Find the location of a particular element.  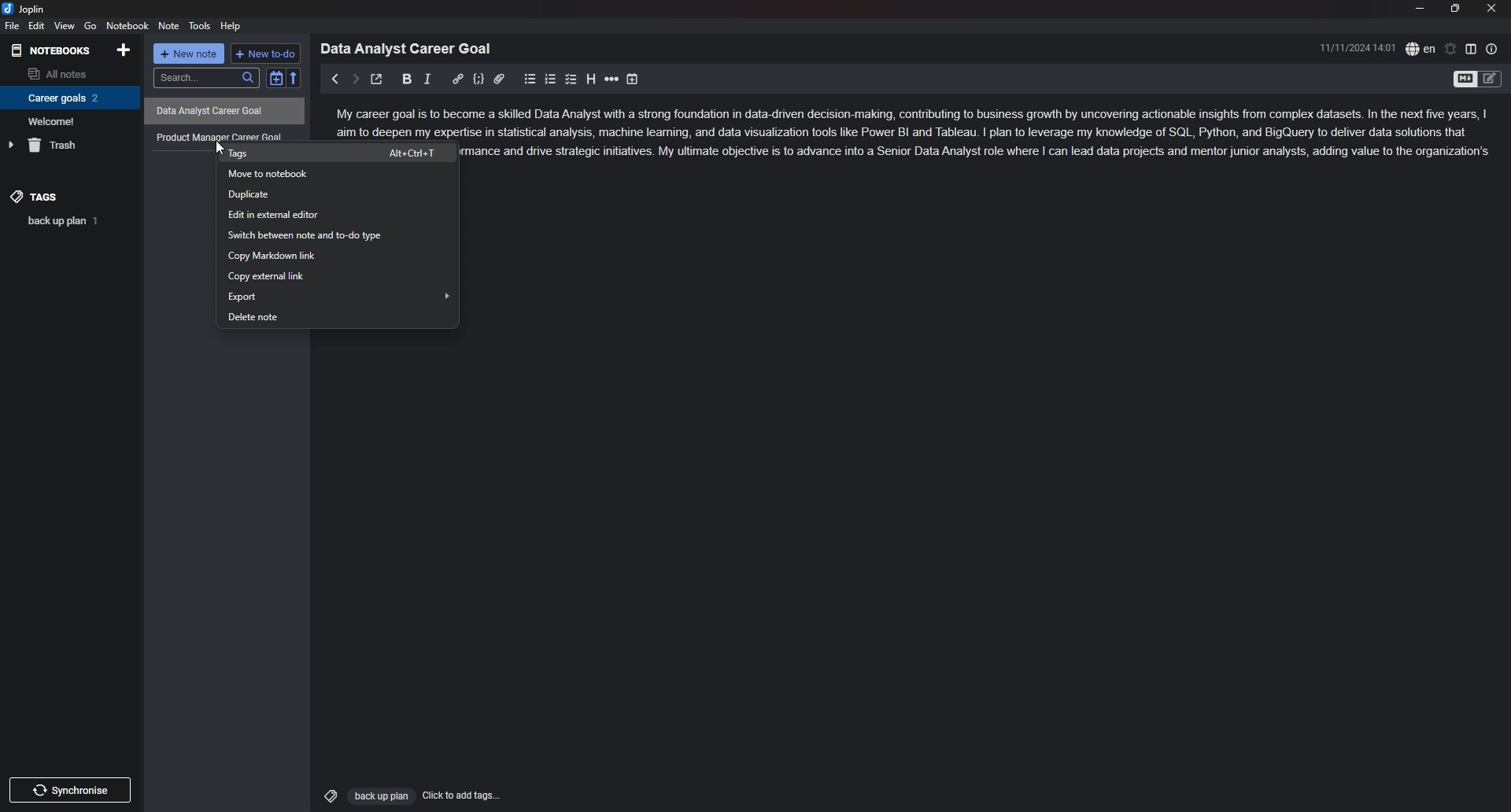

notebook is located at coordinates (127, 25).